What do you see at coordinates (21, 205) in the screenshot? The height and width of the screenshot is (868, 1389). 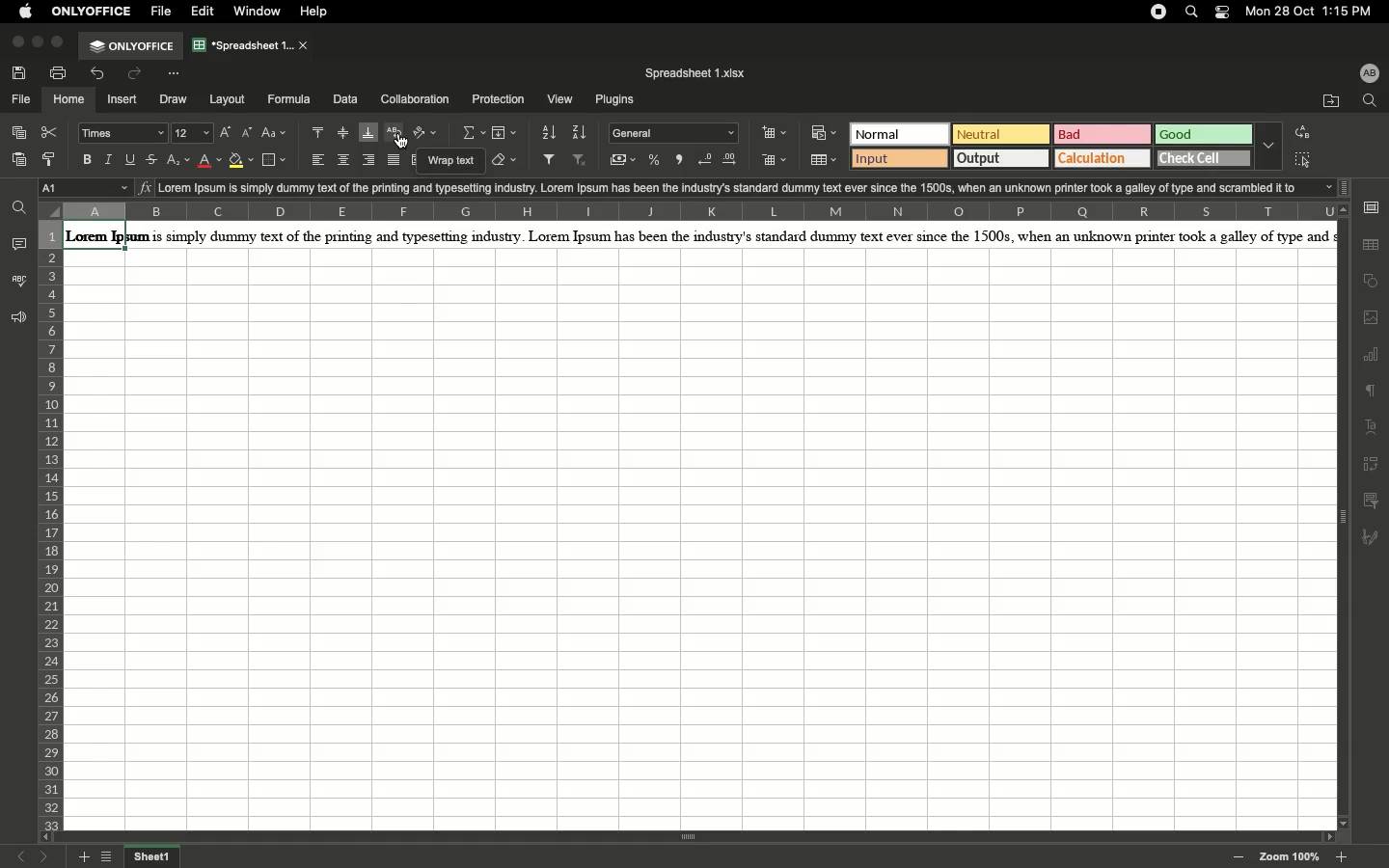 I see `Find` at bounding box center [21, 205].